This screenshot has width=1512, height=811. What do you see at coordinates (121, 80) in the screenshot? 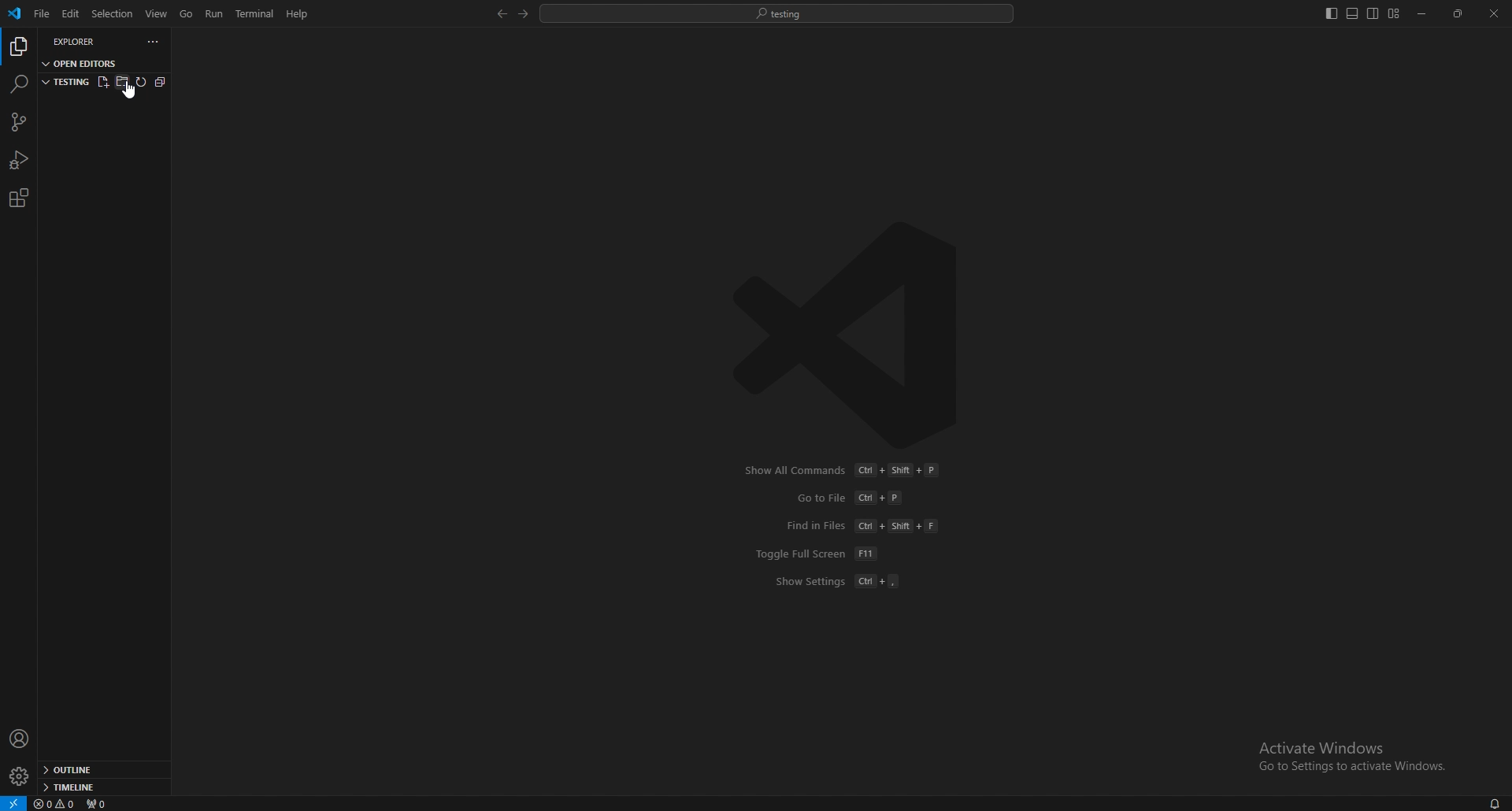
I see `new folder` at bounding box center [121, 80].